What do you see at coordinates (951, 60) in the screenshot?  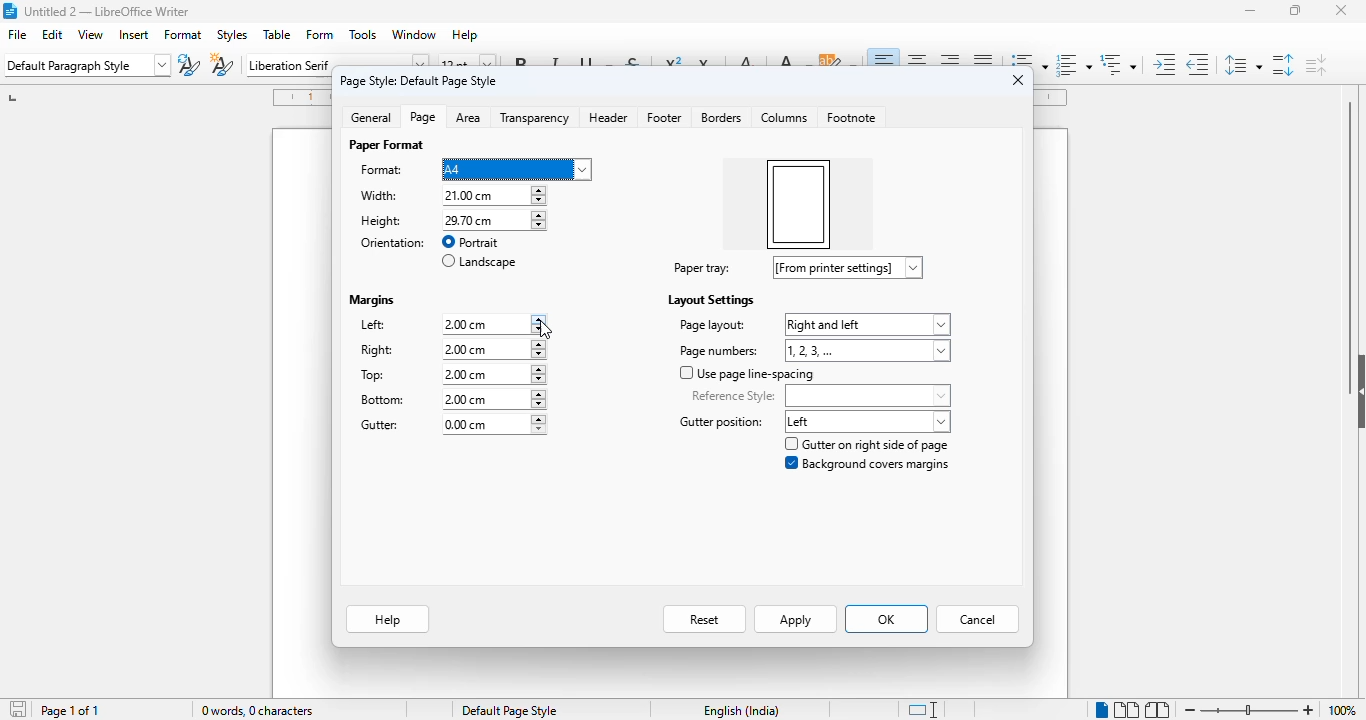 I see `align right` at bounding box center [951, 60].